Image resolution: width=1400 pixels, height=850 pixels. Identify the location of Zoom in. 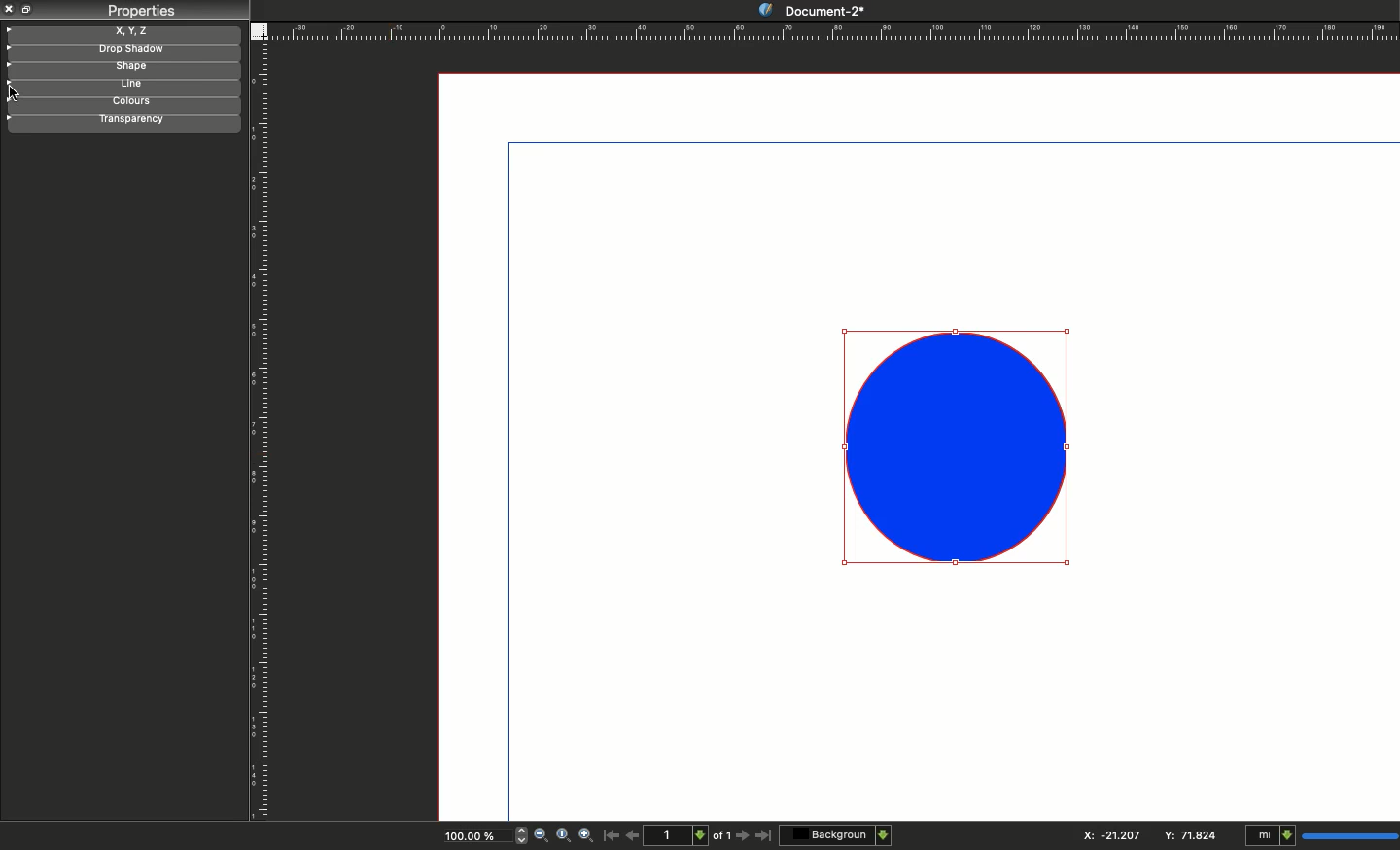
(587, 836).